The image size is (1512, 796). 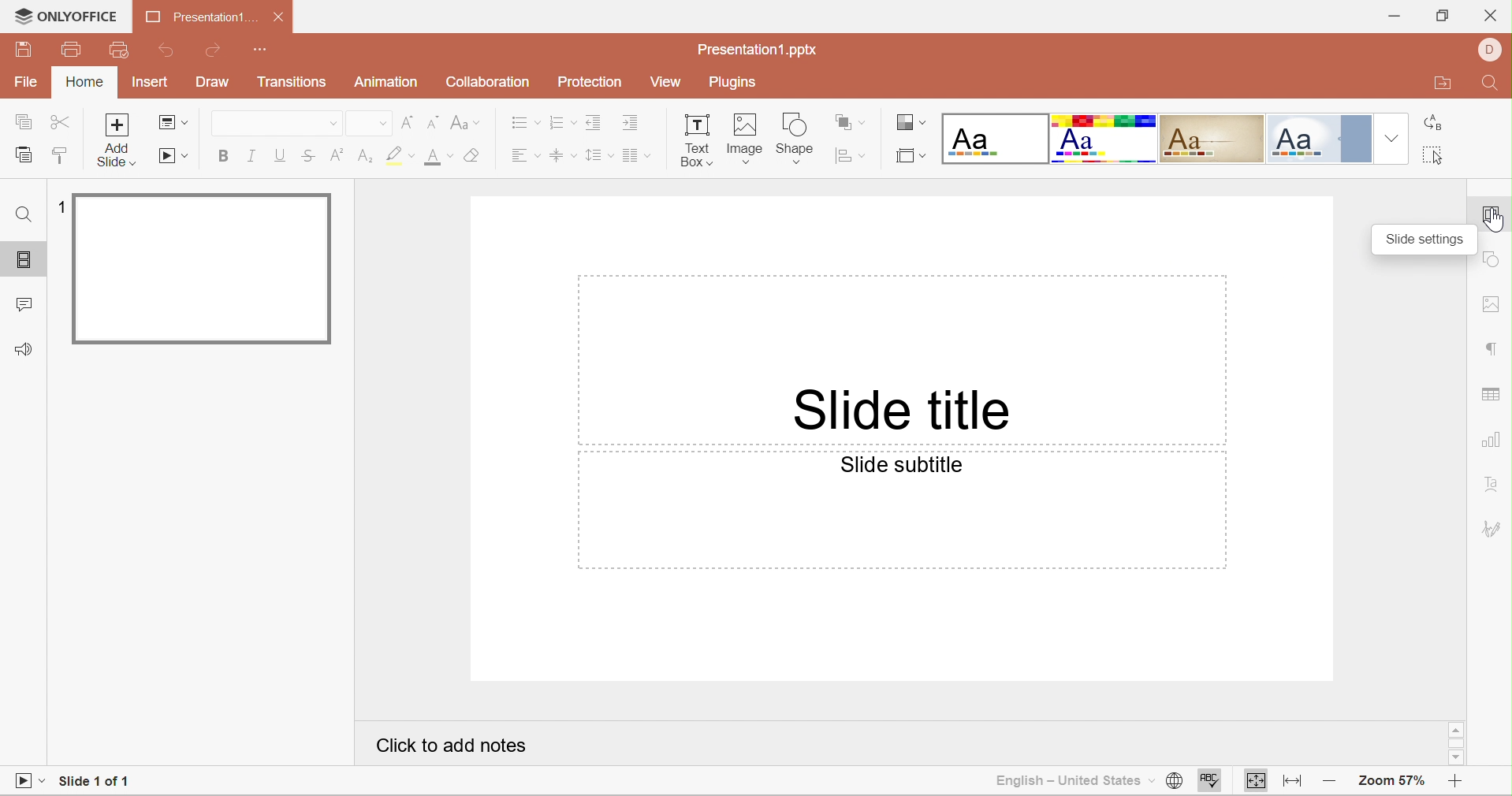 What do you see at coordinates (445, 744) in the screenshot?
I see `Click to add notes` at bounding box center [445, 744].